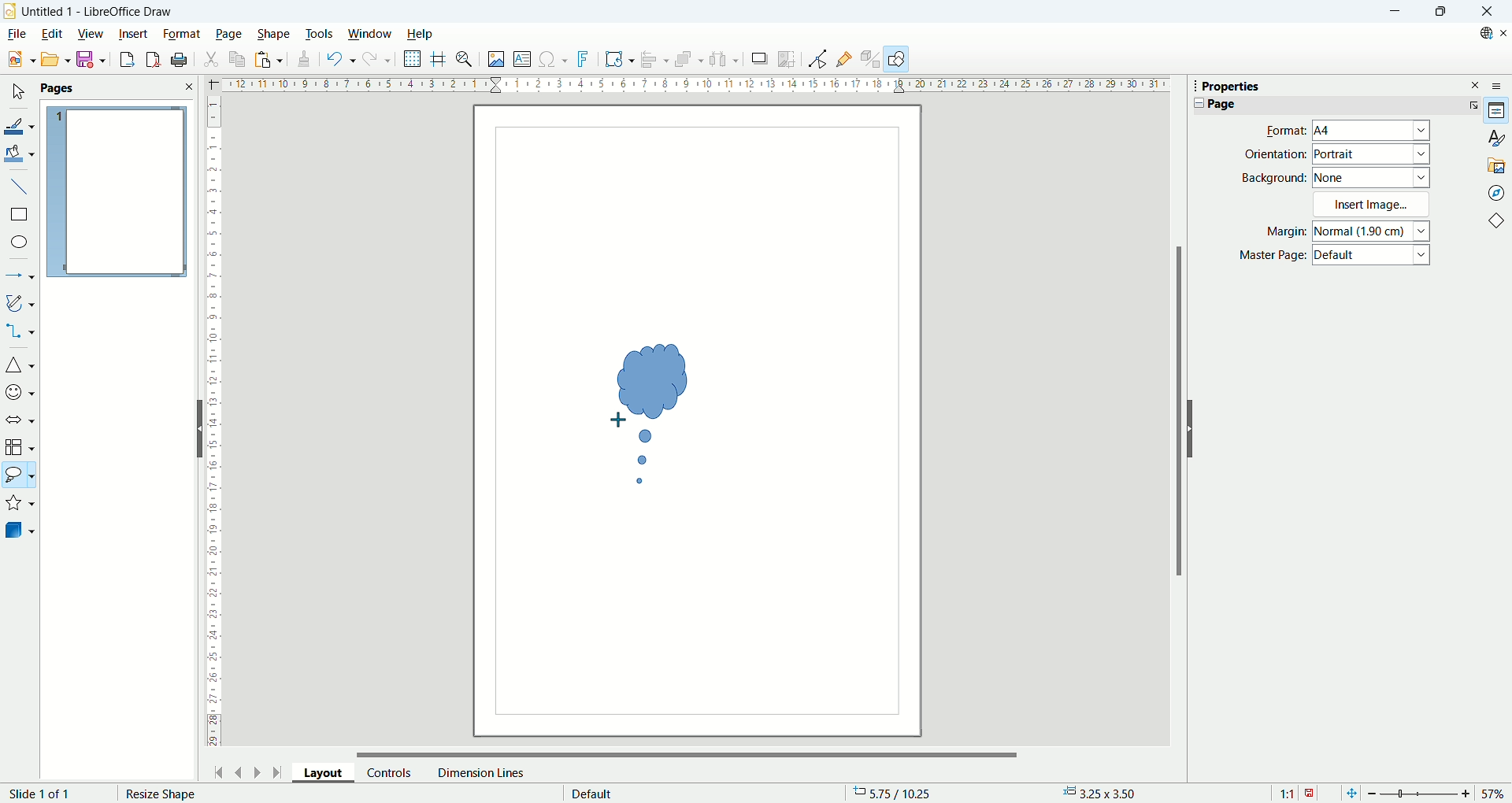 The width and height of the screenshot is (1512, 803). Describe the element at coordinates (899, 59) in the screenshot. I see `draw function` at that location.